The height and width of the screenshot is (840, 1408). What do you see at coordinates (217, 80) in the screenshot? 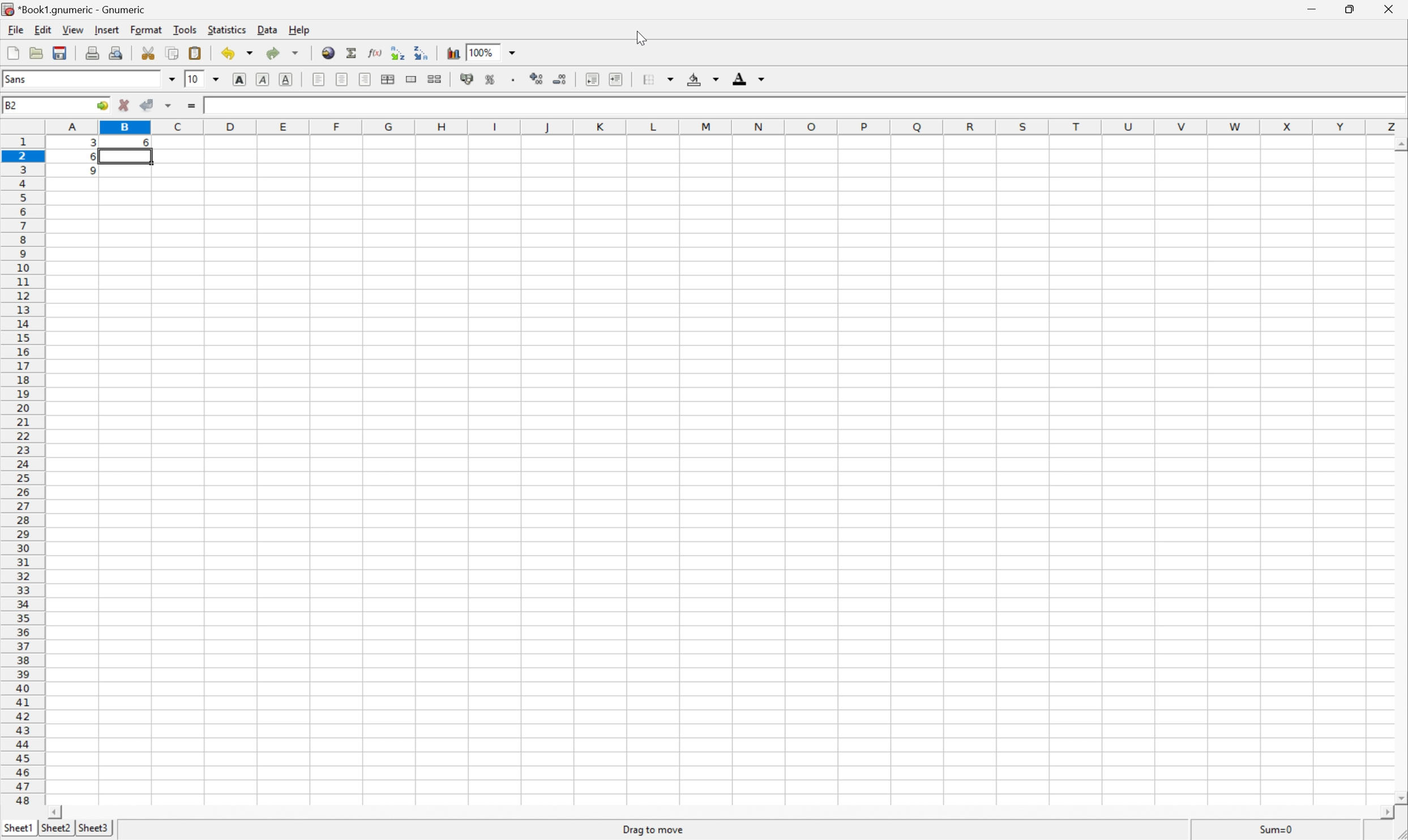
I see `Drop Down` at bounding box center [217, 80].